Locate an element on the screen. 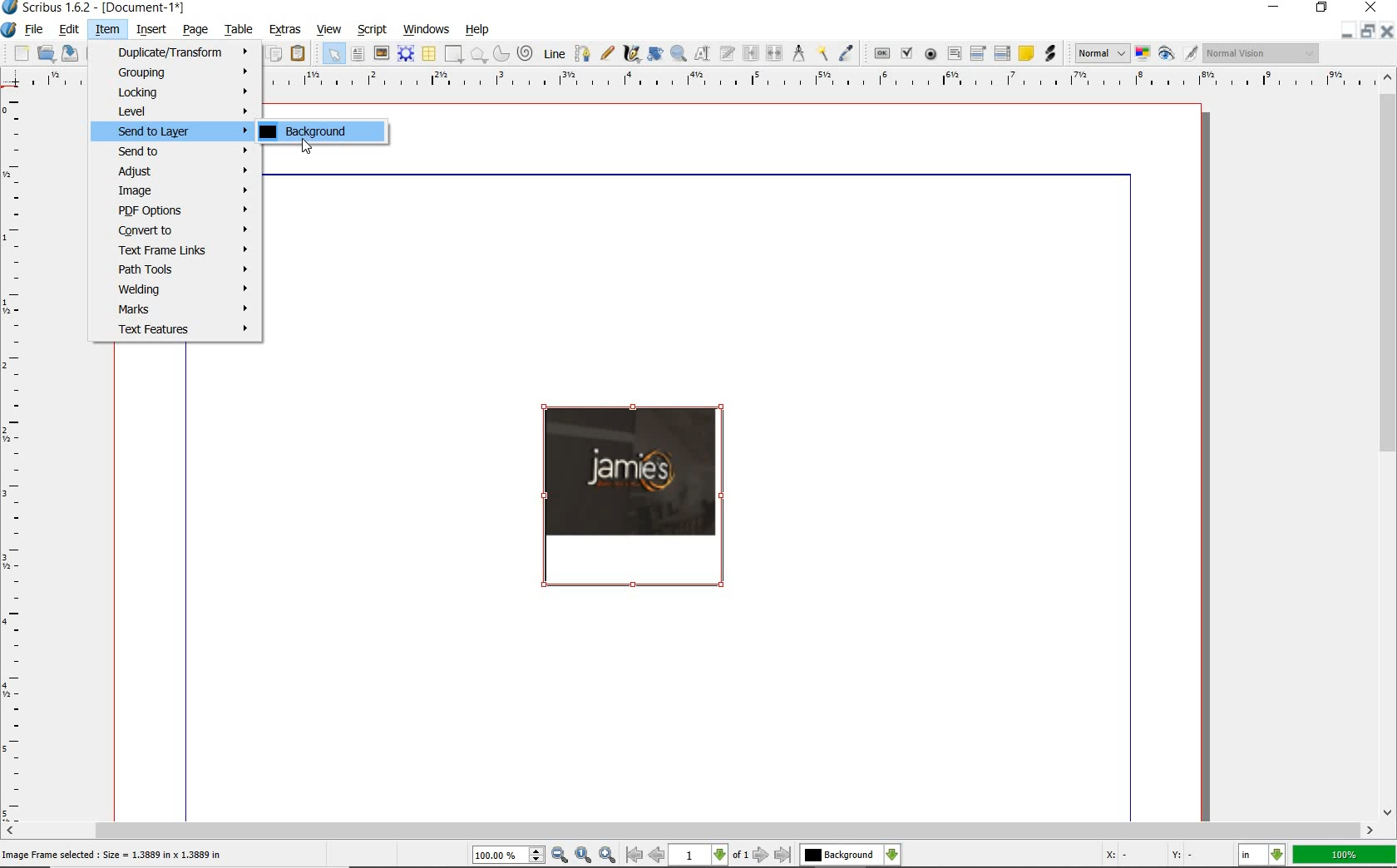  view is located at coordinates (332, 31).